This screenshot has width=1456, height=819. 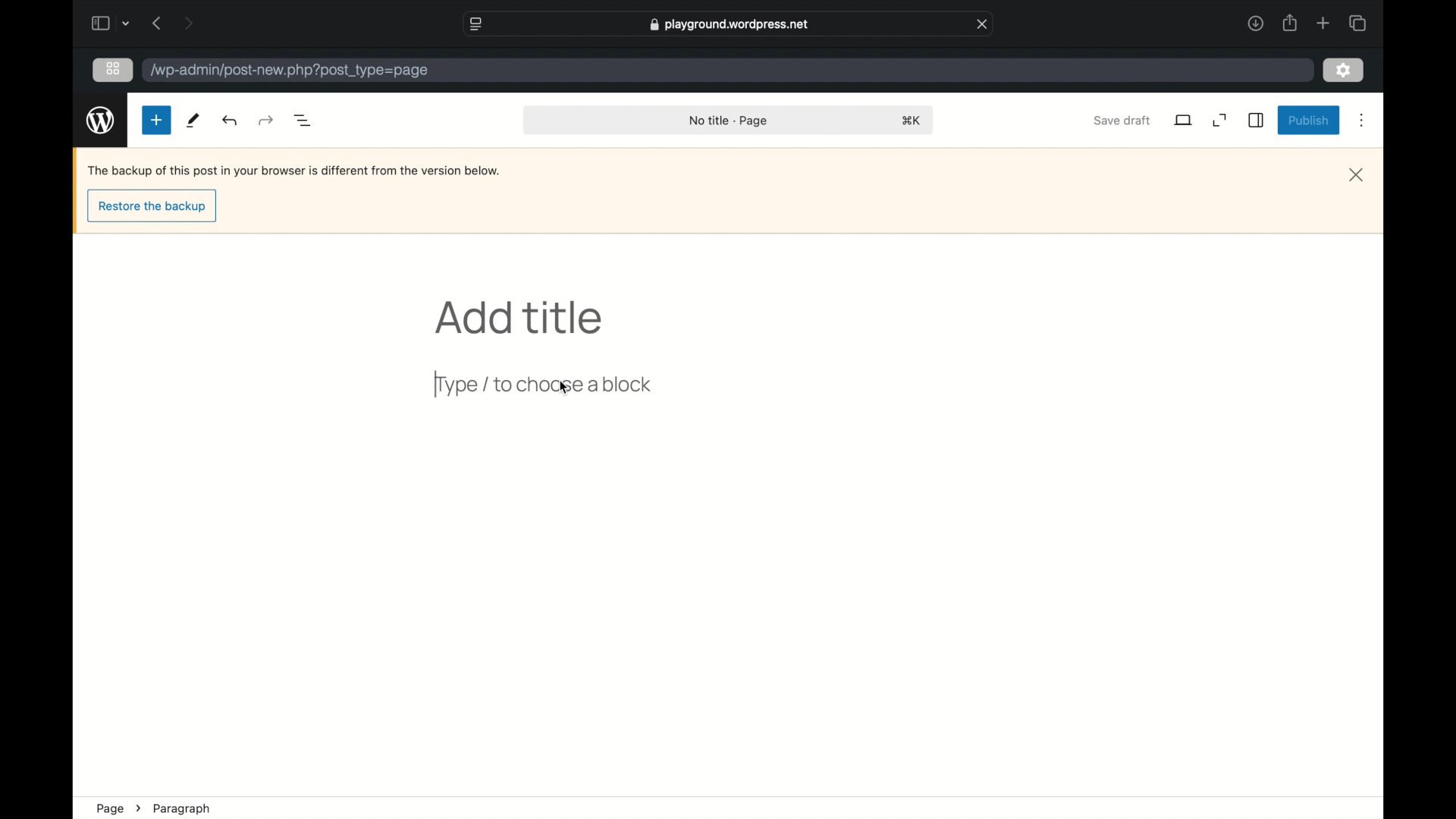 What do you see at coordinates (1357, 175) in the screenshot?
I see `close` at bounding box center [1357, 175].